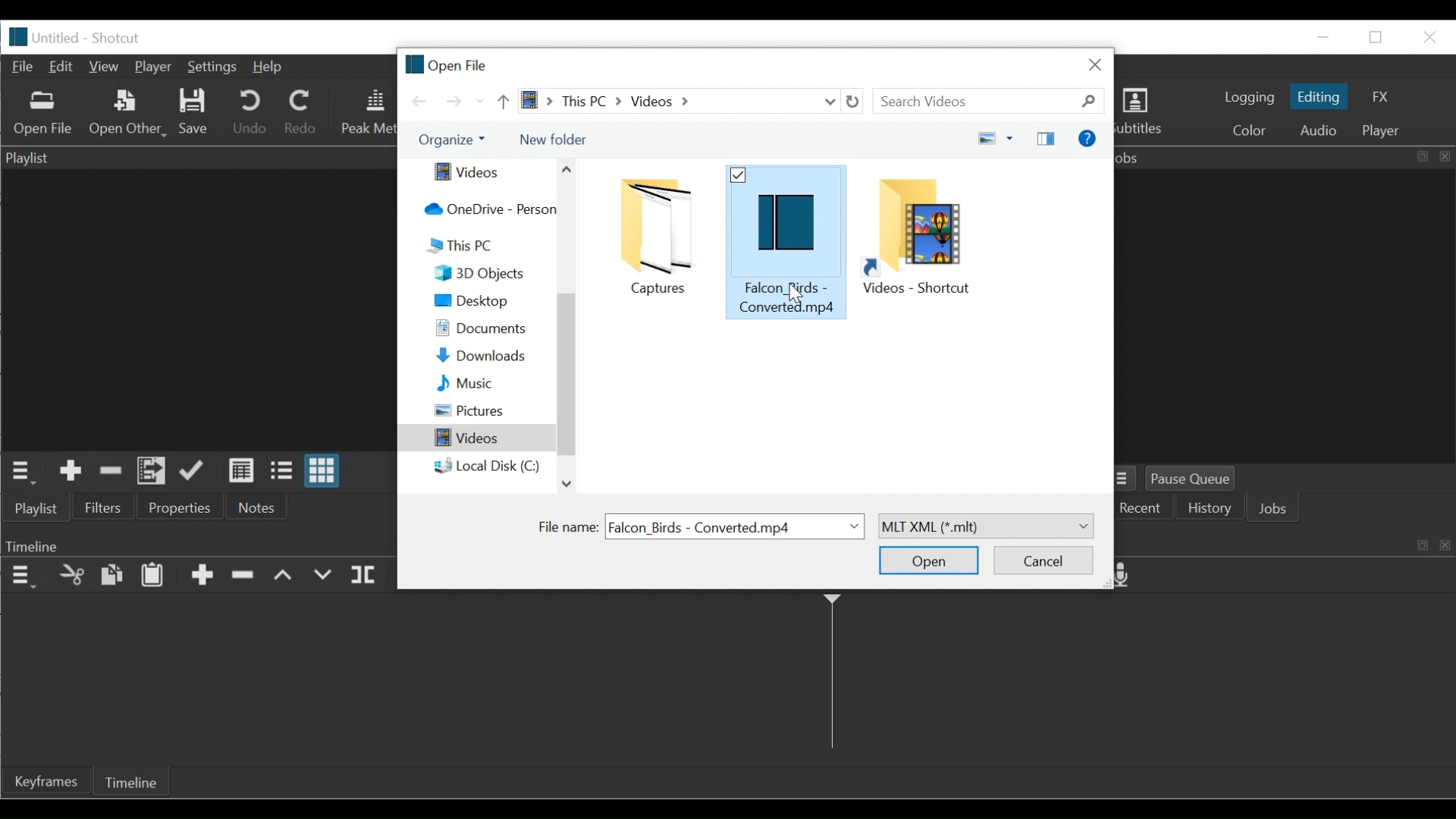  I want to click on more options, so click(1012, 137).